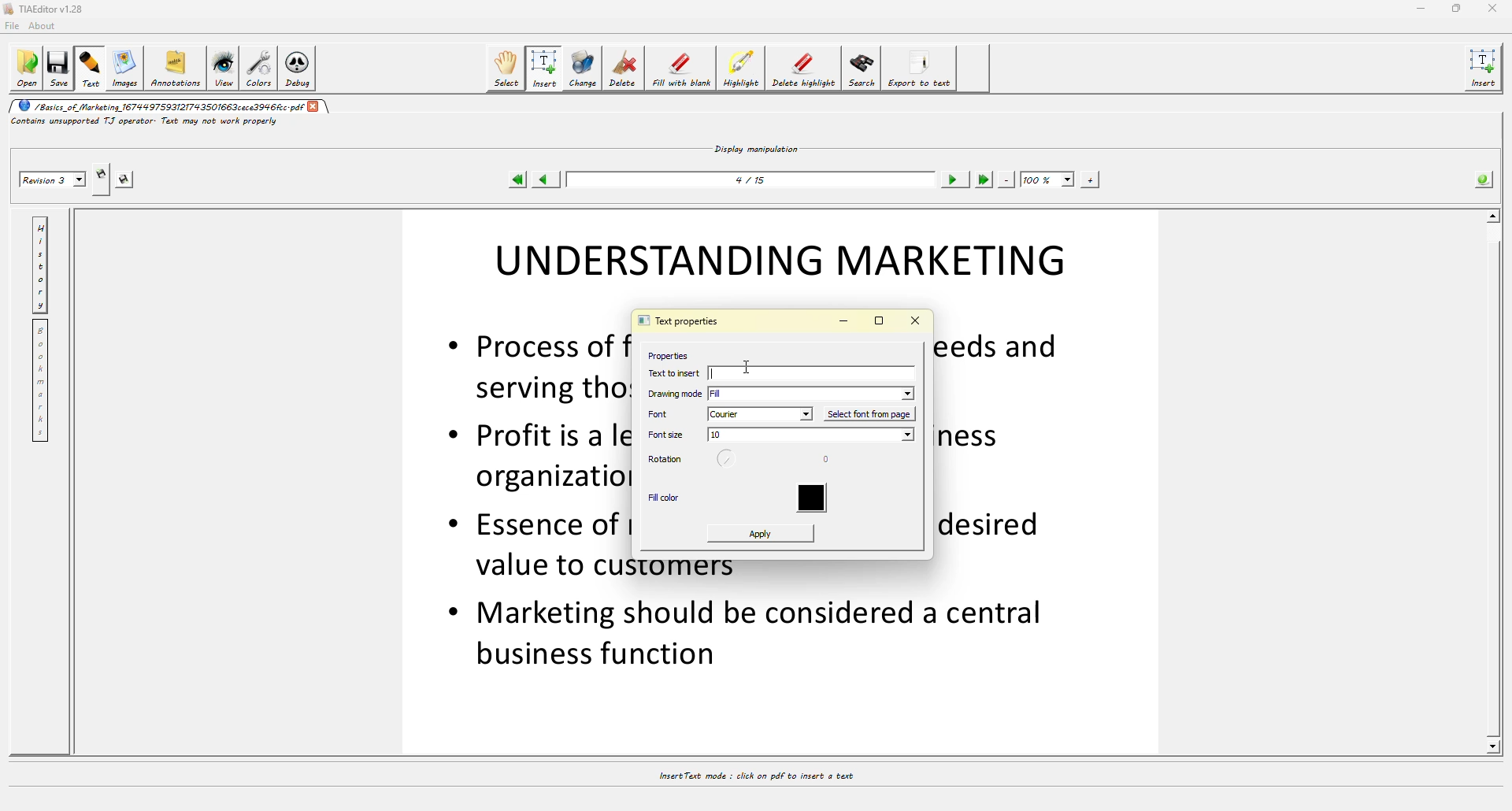 The height and width of the screenshot is (811, 1512). What do you see at coordinates (843, 322) in the screenshot?
I see `minimize` at bounding box center [843, 322].